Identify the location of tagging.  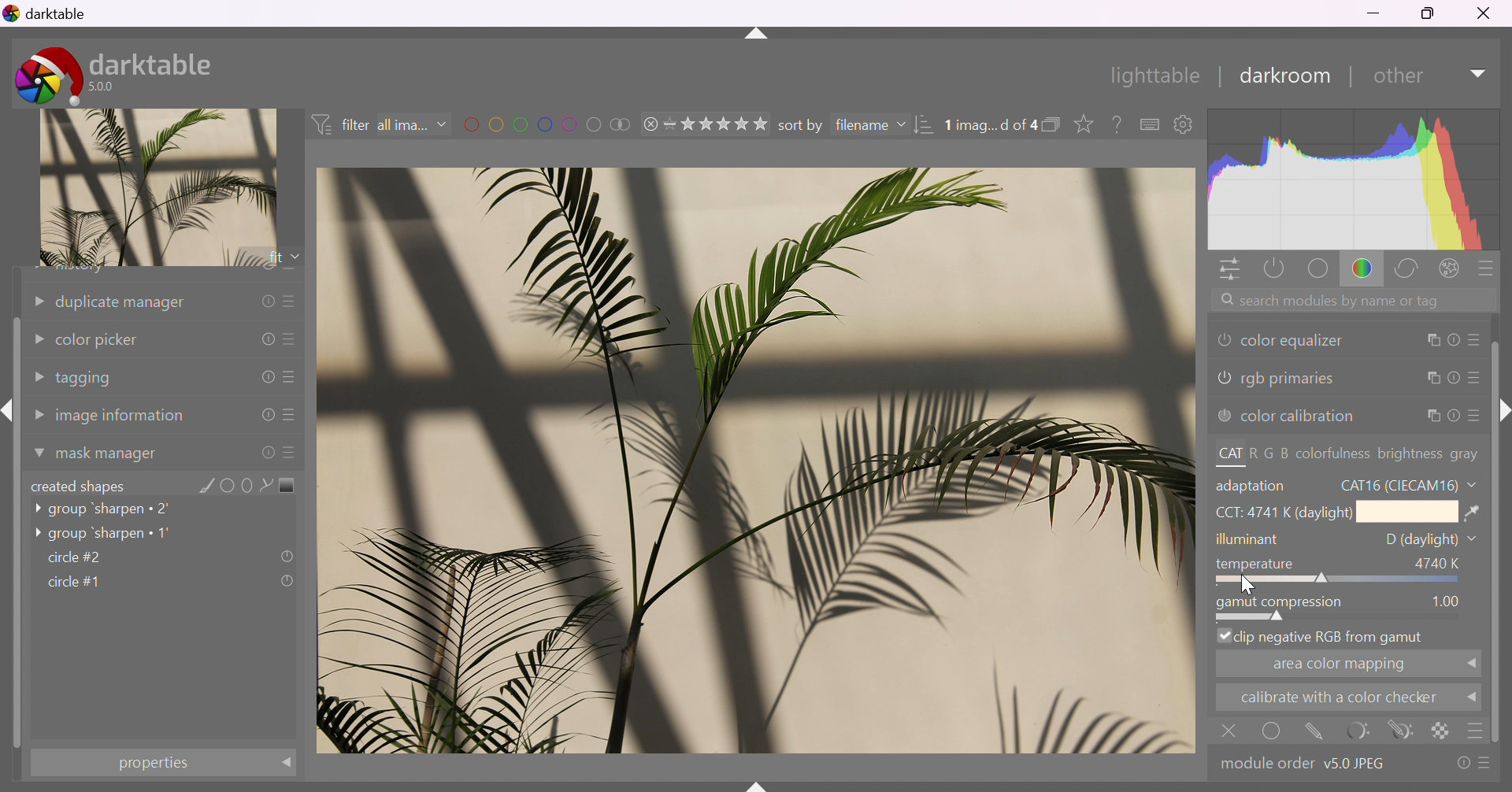
(164, 379).